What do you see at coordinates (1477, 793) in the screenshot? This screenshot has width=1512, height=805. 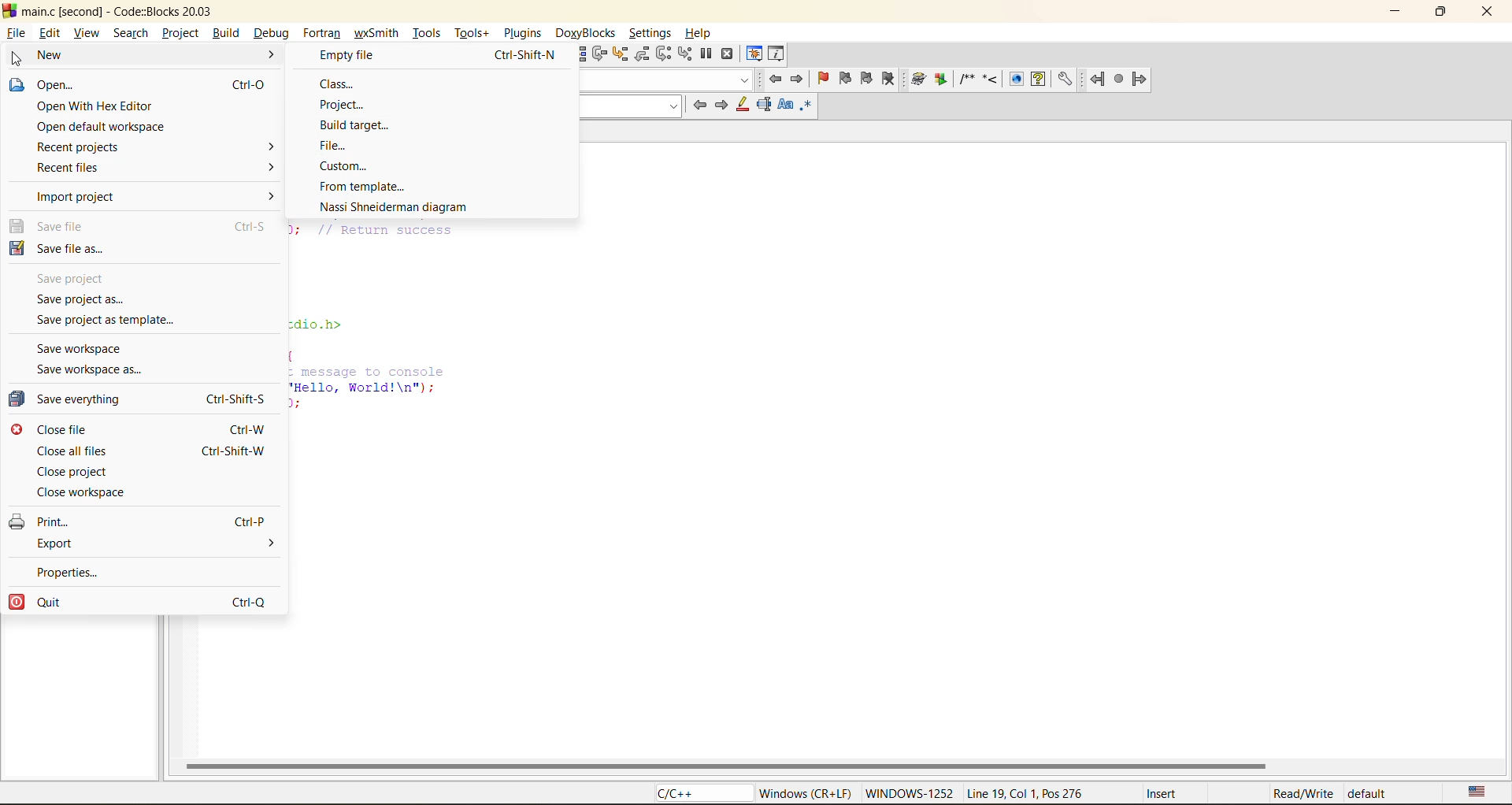 I see `text language` at bounding box center [1477, 793].